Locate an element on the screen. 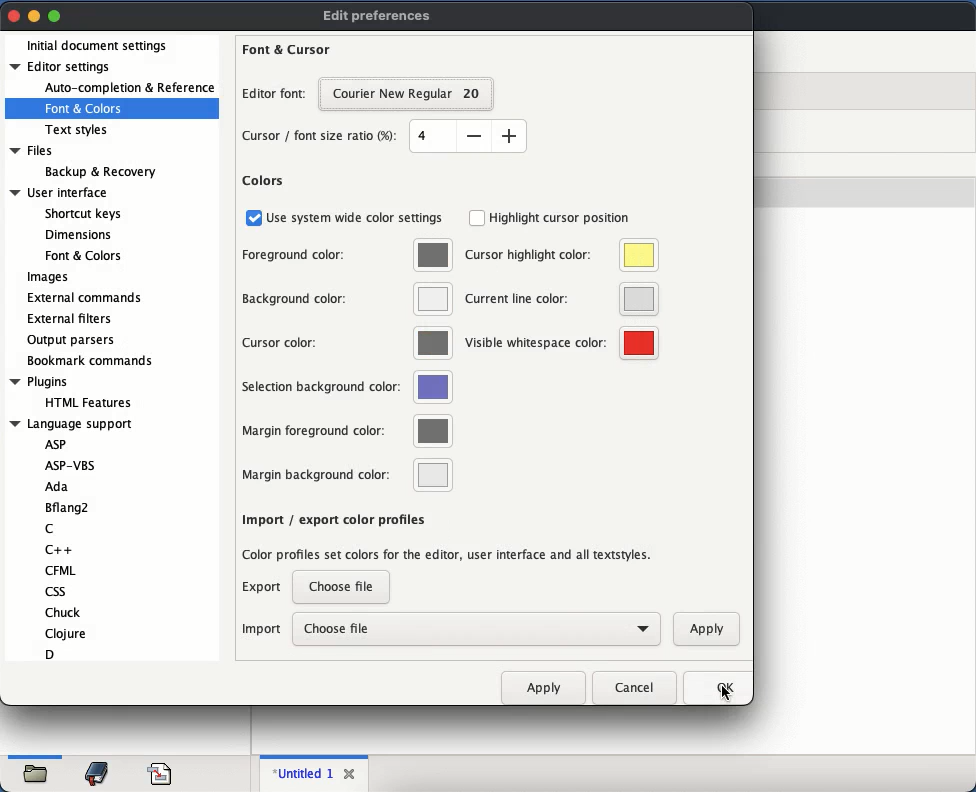 The height and width of the screenshot is (792, 976). current line color is located at coordinates (536, 298).